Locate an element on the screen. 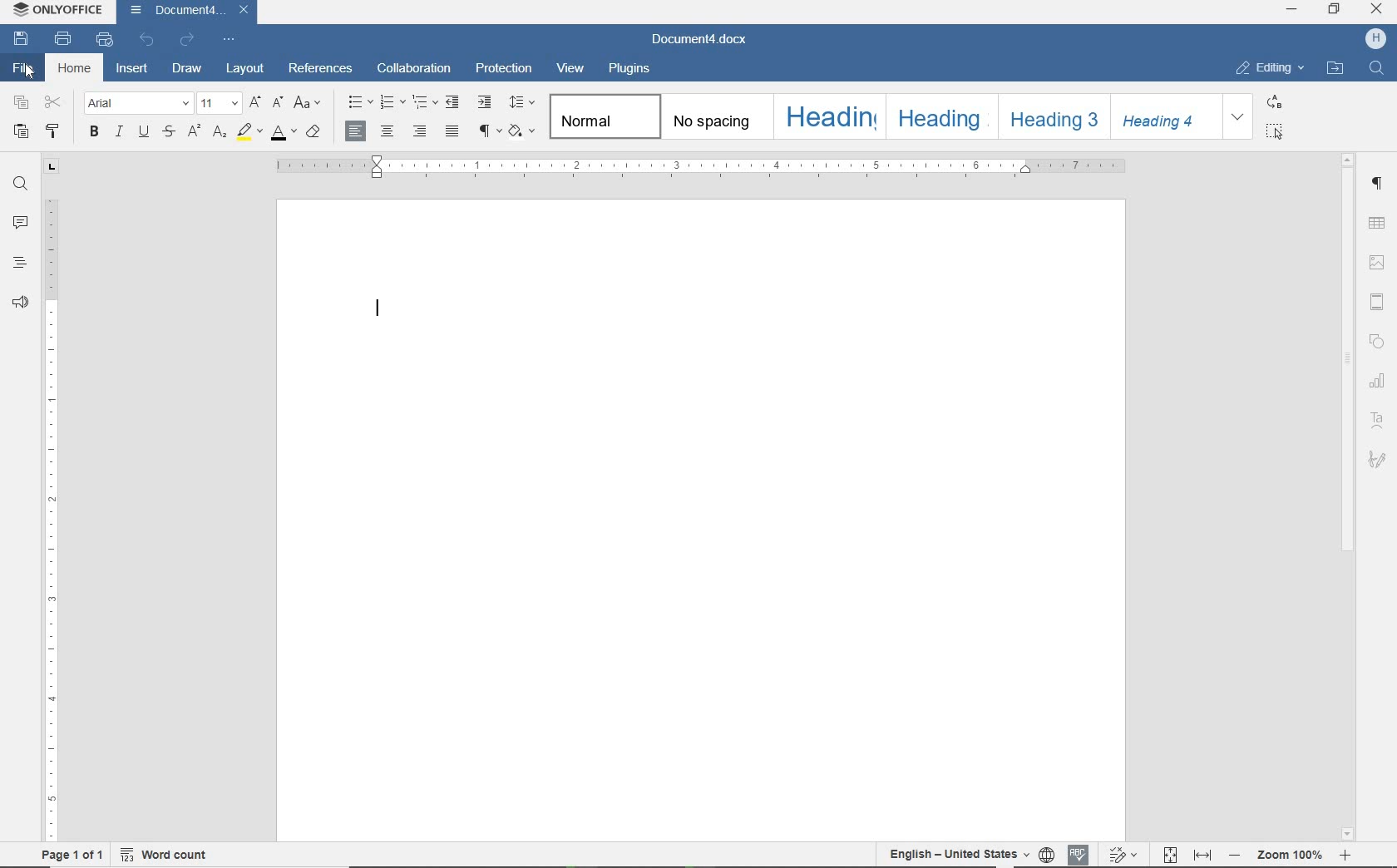 The height and width of the screenshot is (868, 1397). multilevel list is located at coordinates (425, 102).